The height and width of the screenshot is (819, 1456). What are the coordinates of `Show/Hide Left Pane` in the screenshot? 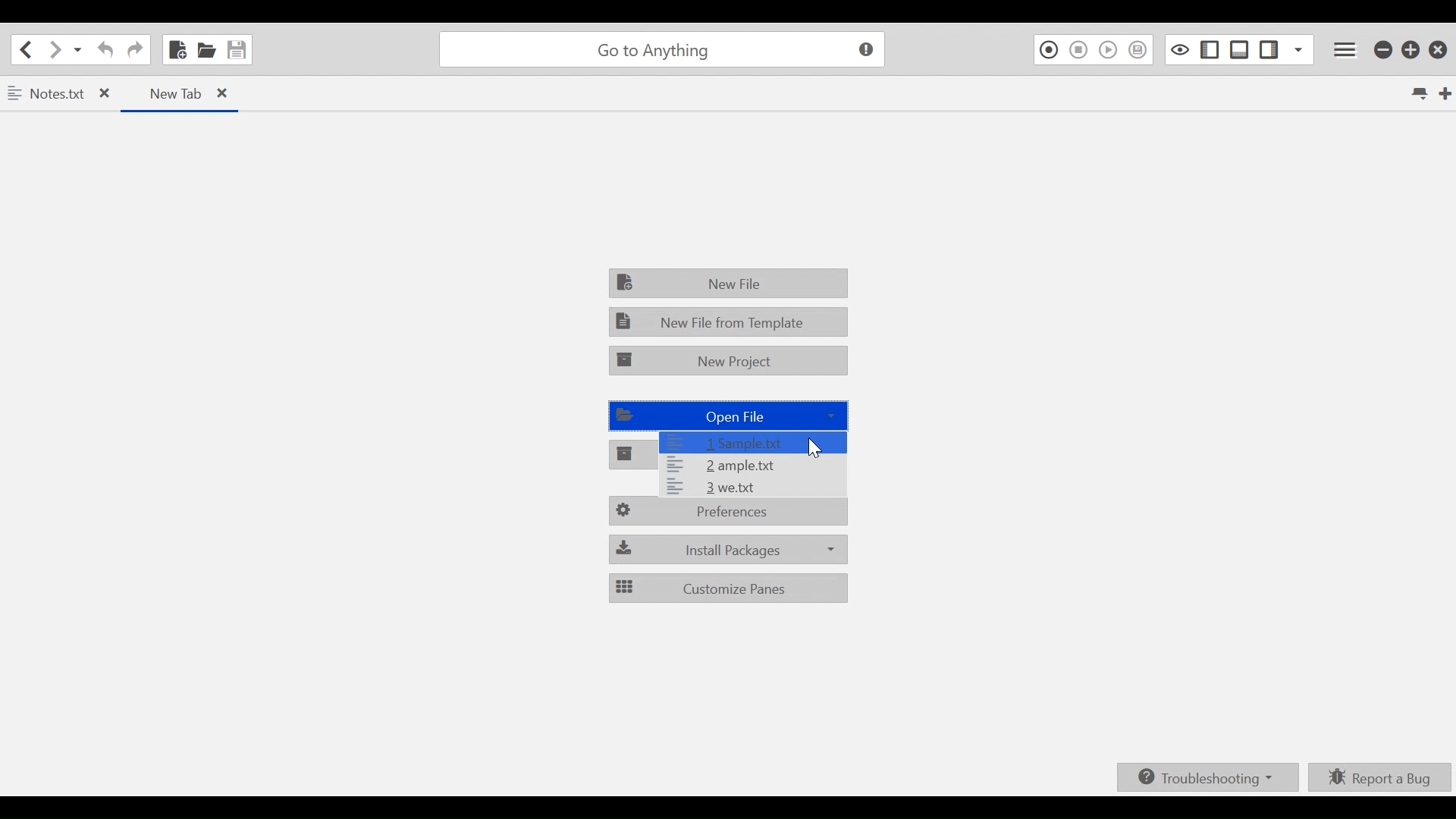 It's located at (1269, 49).